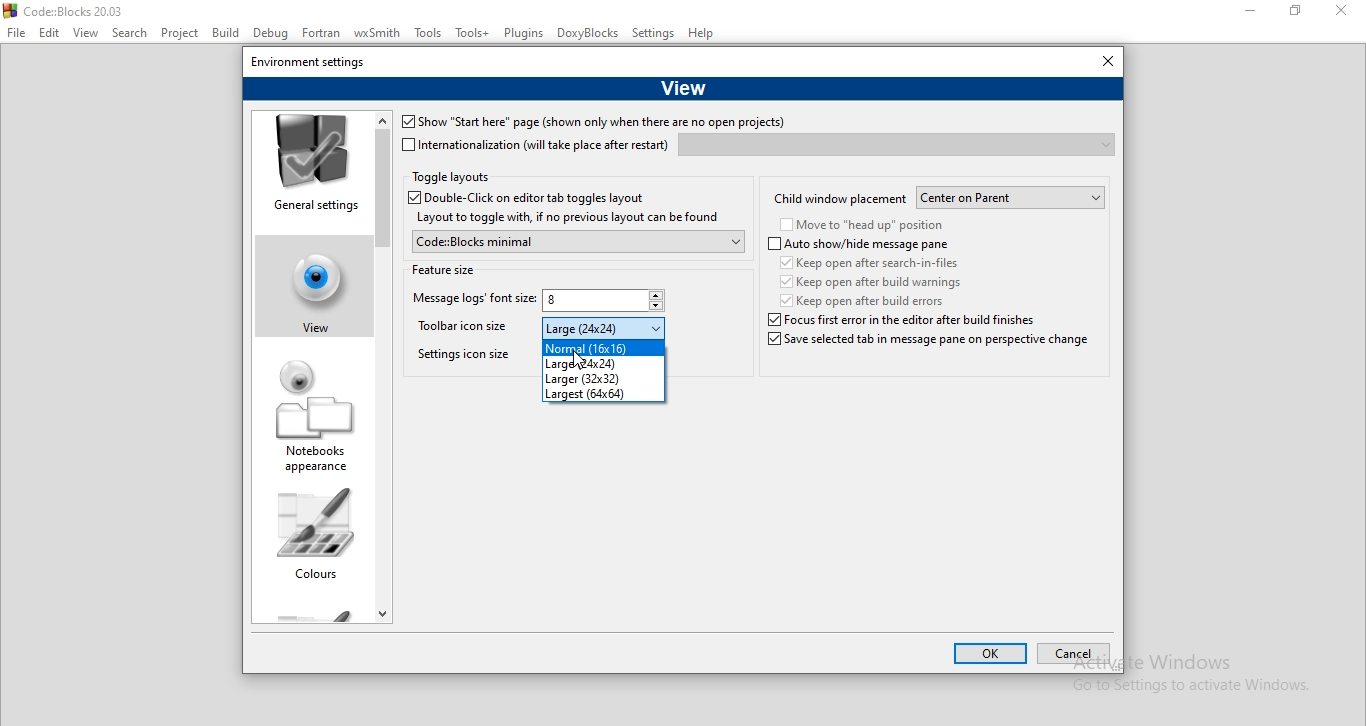  What do you see at coordinates (840, 197) in the screenshot?
I see `Child window placement` at bounding box center [840, 197].